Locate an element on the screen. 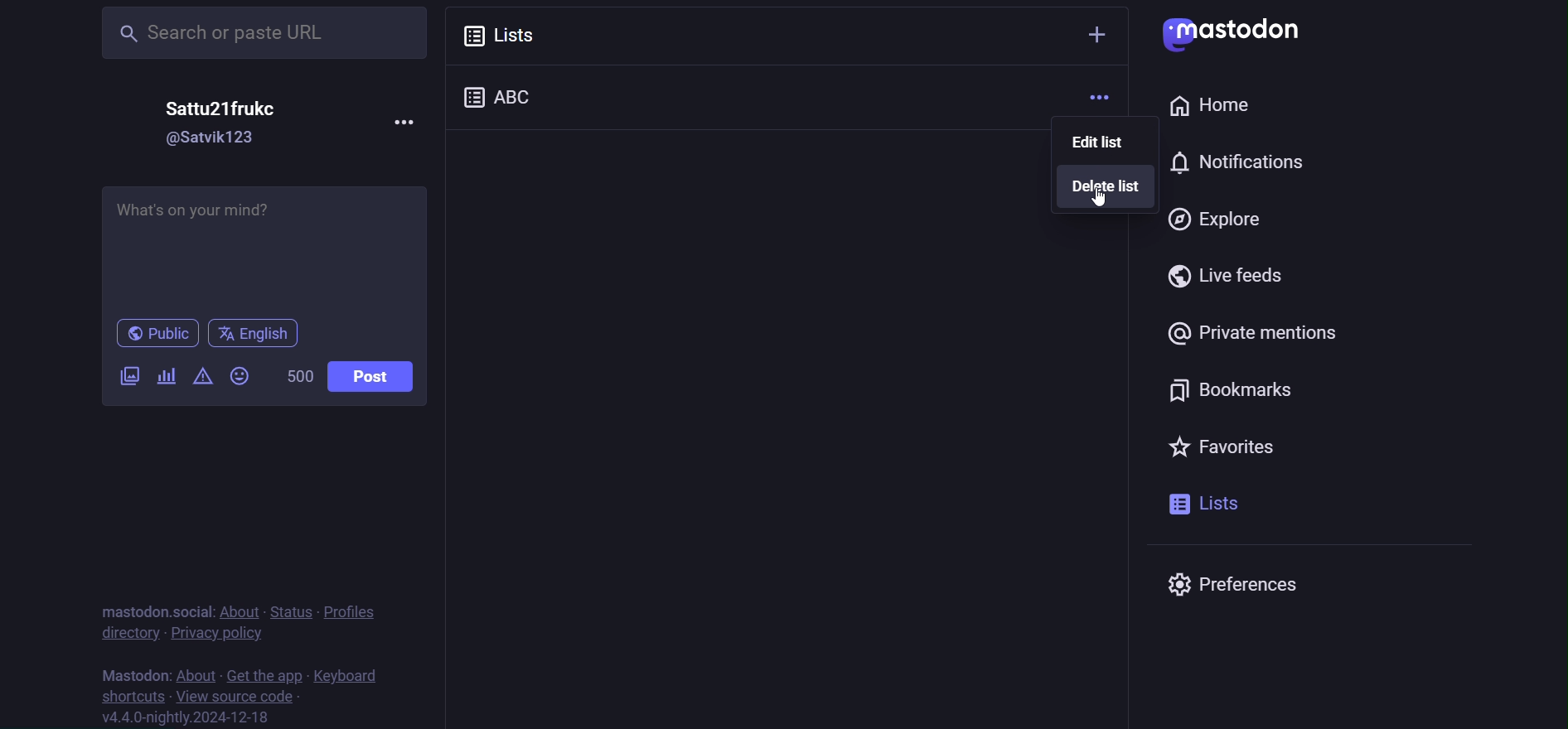  profiles is located at coordinates (359, 612).